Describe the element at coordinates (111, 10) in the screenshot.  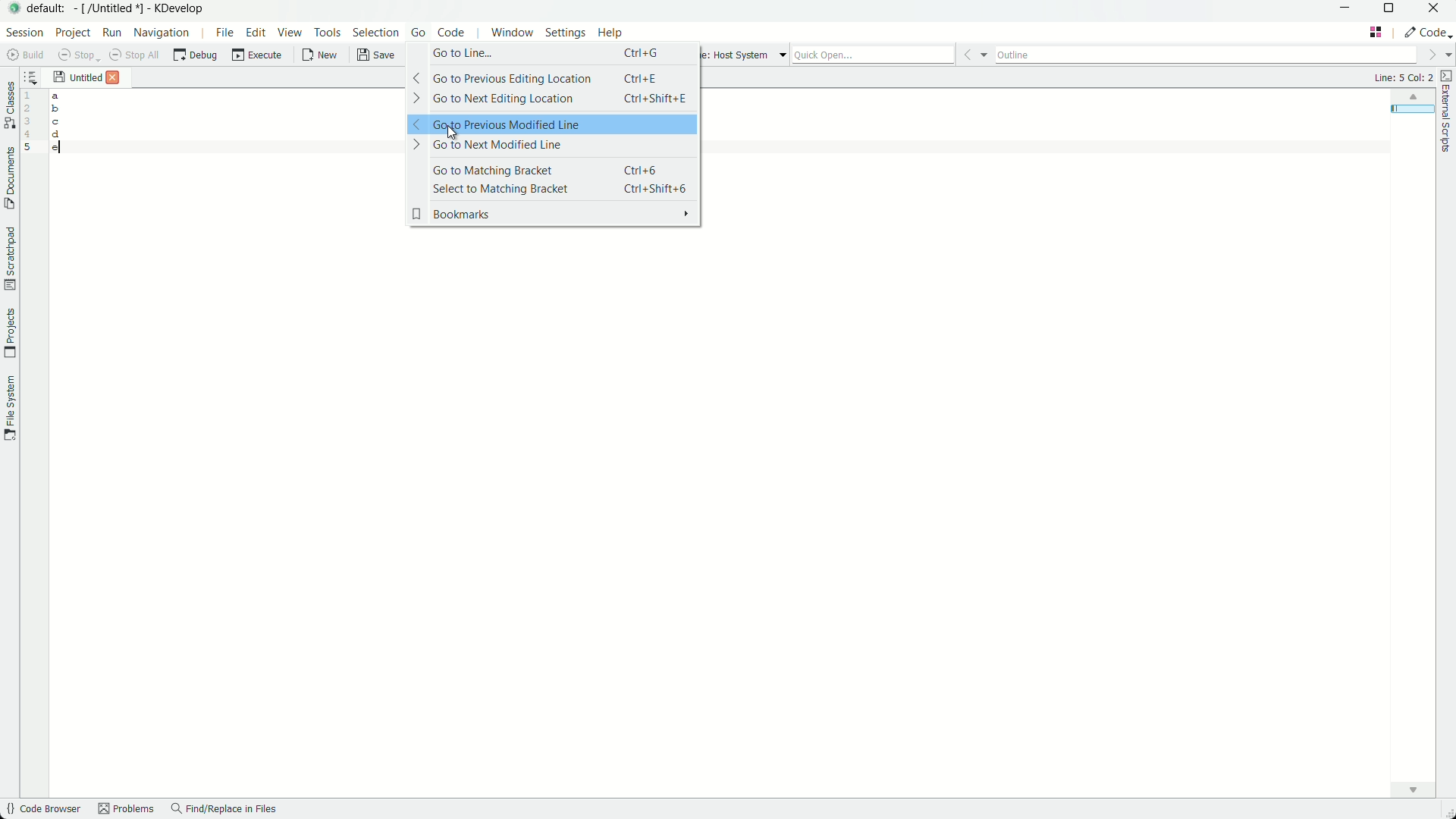
I see `[/untitled*]` at that location.